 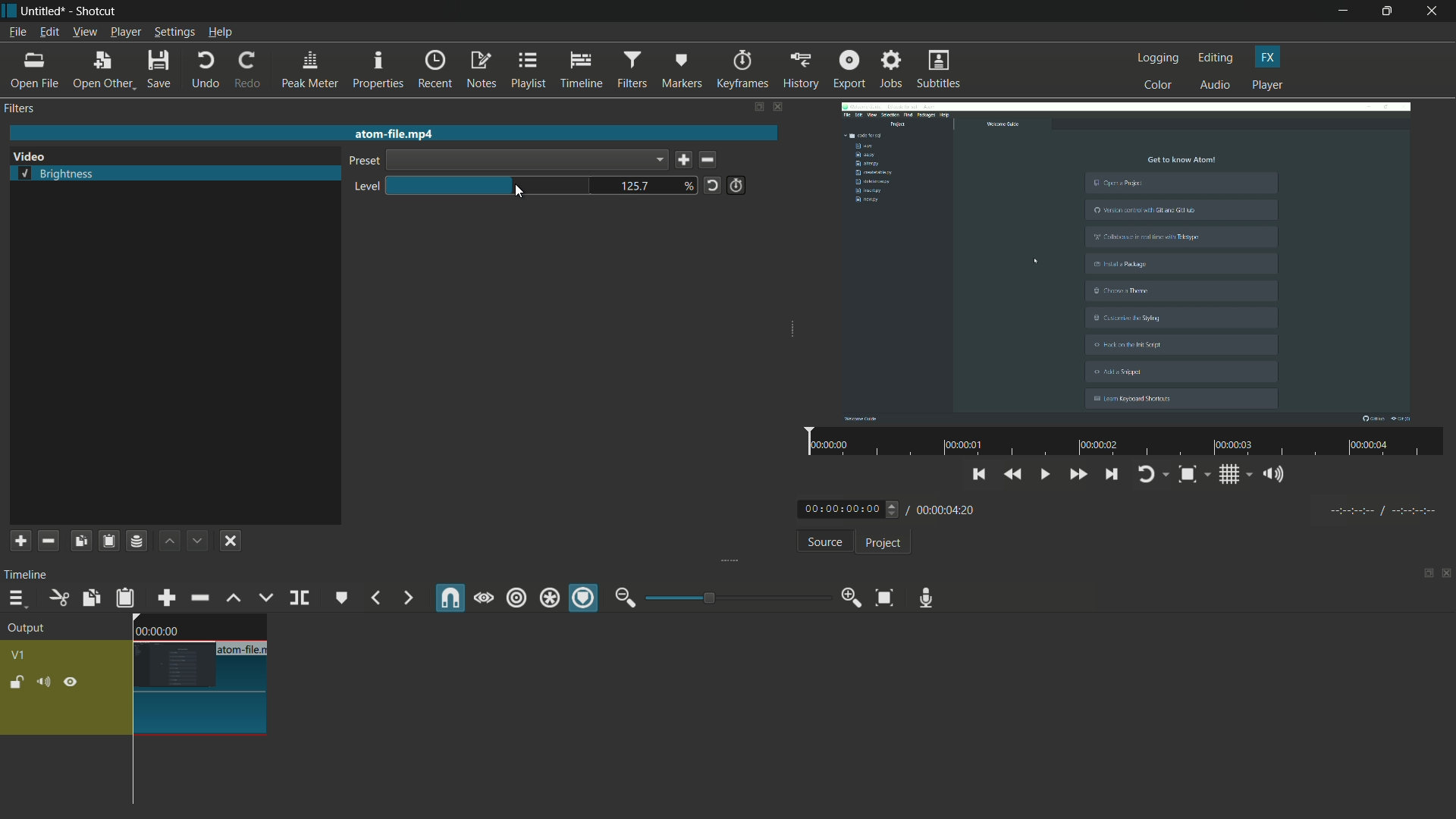 What do you see at coordinates (375, 598) in the screenshot?
I see `previous marker` at bounding box center [375, 598].